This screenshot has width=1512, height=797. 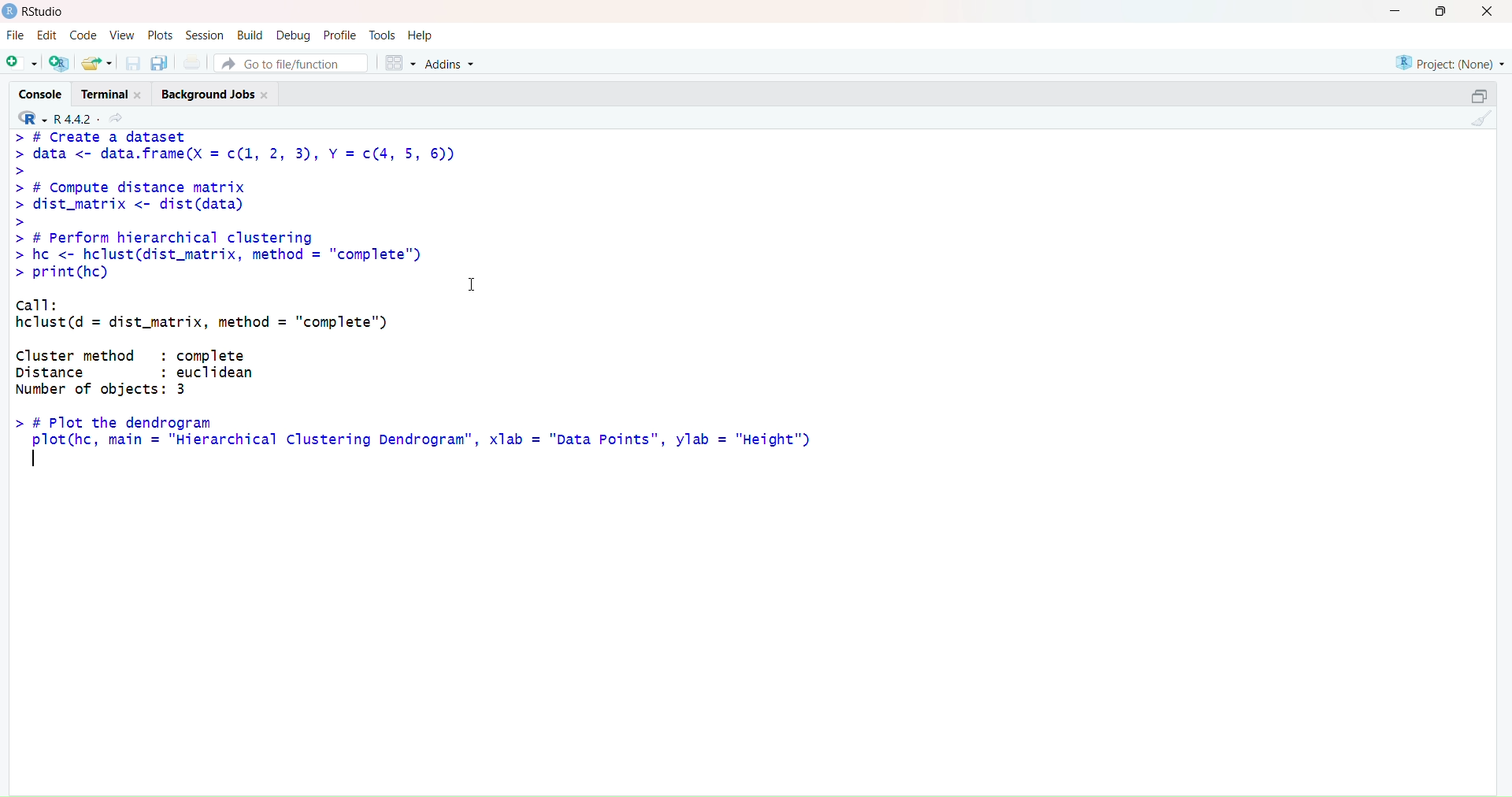 What do you see at coordinates (213, 91) in the screenshot?
I see `Background Jobs` at bounding box center [213, 91].